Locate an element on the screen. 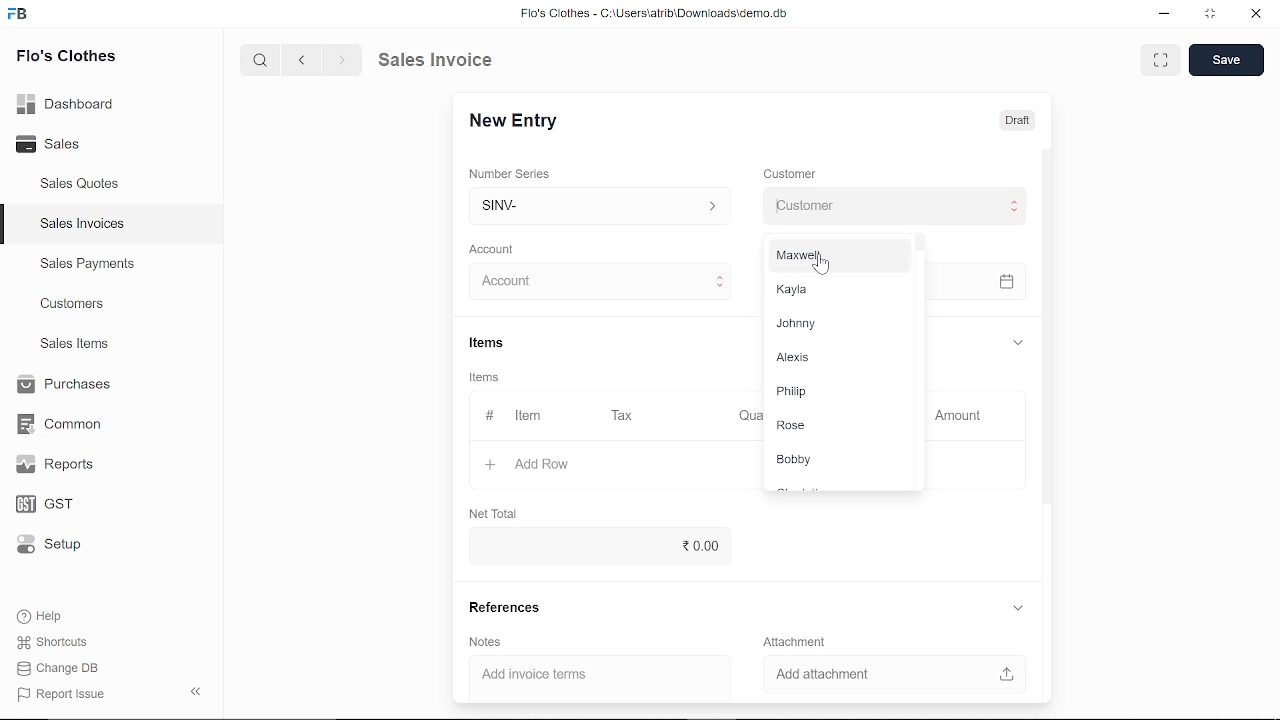 This screenshot has width=1280, height=720. close is located at coordinates (1254, 14).